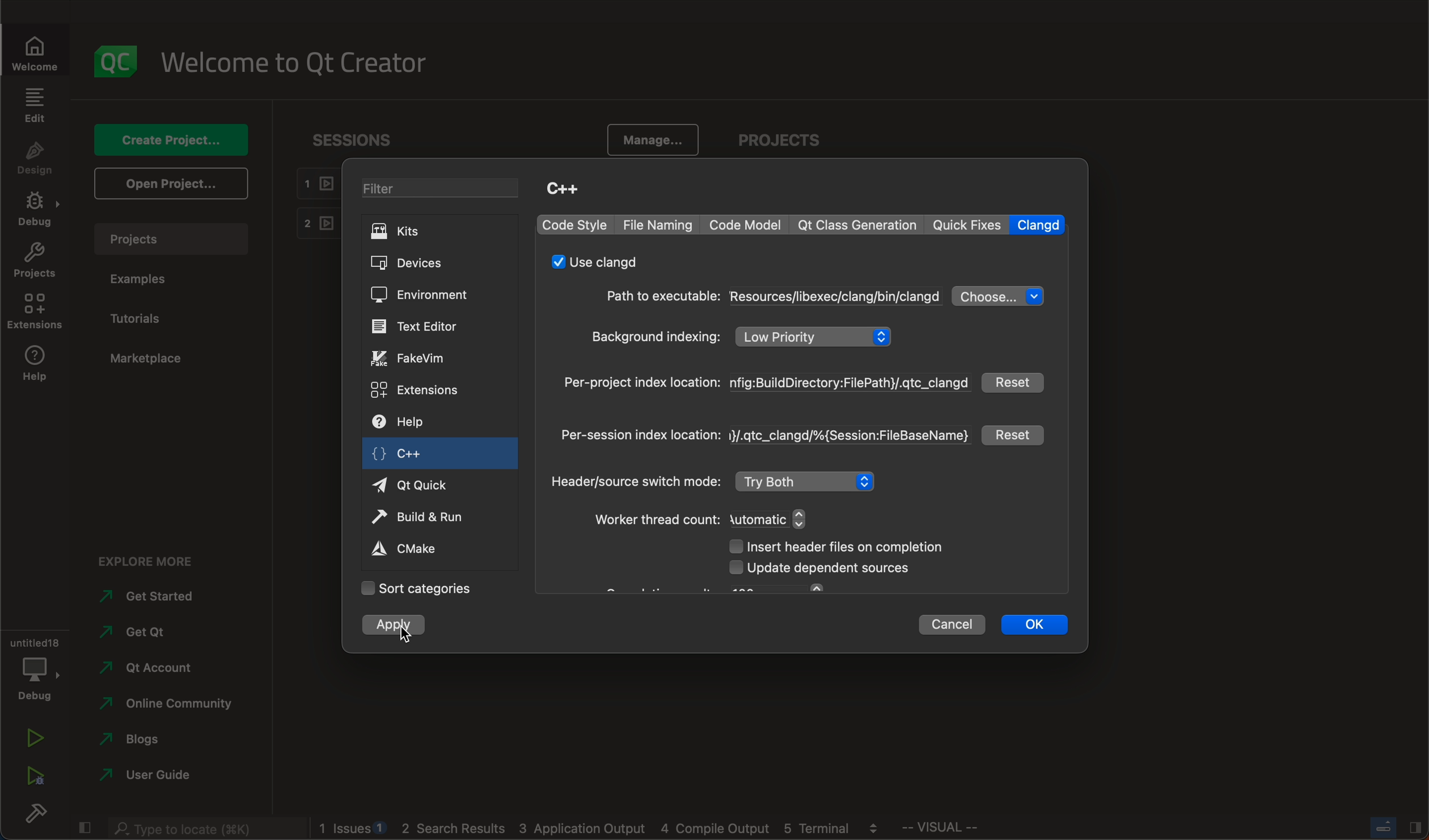 The height and width of the screenshot is (840, 1429). I want to click on , so click(944, 827).